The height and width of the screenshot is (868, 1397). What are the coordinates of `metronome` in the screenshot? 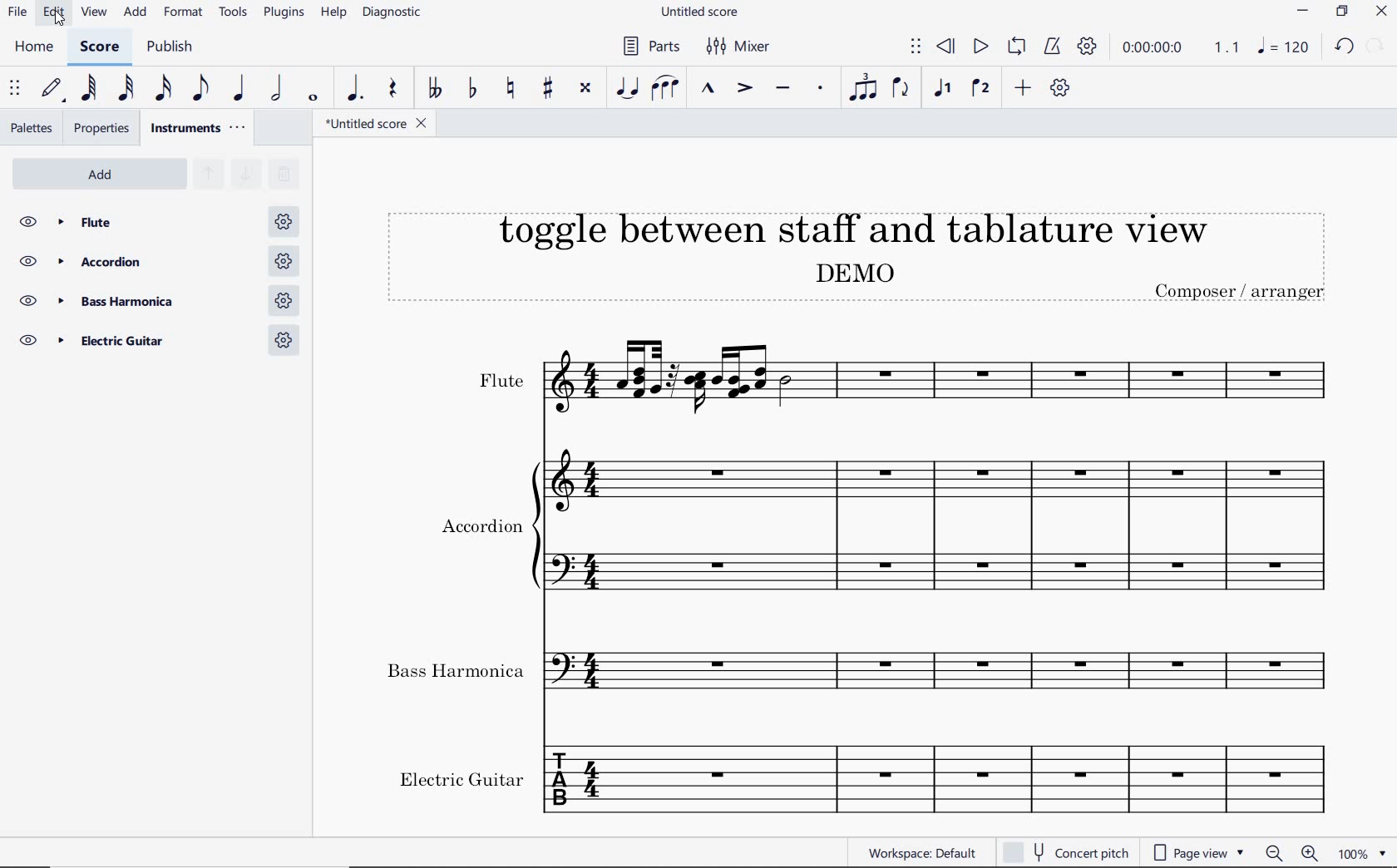 It's located at (1052, 47).